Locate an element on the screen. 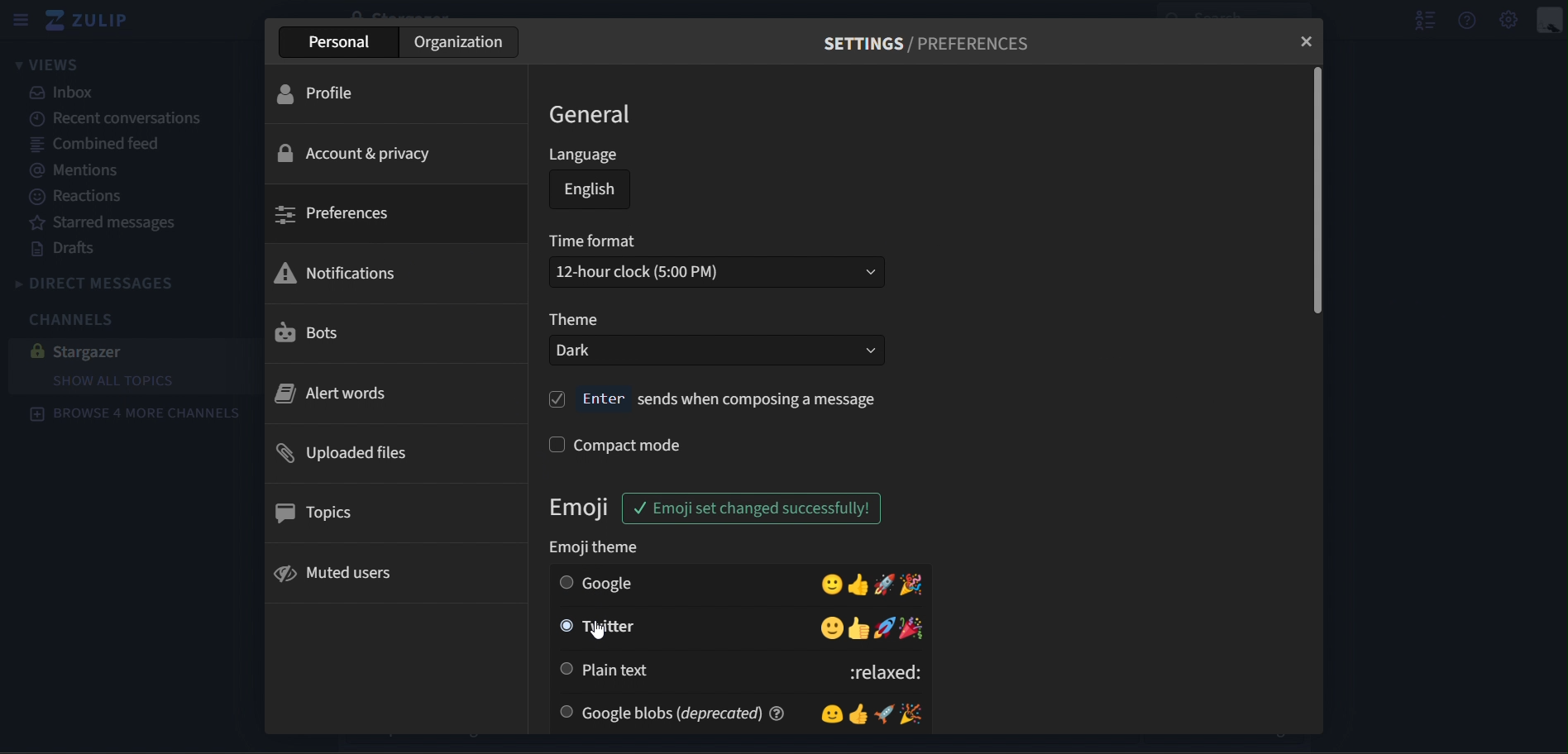  direct messages is located at coordinates (110, 282).